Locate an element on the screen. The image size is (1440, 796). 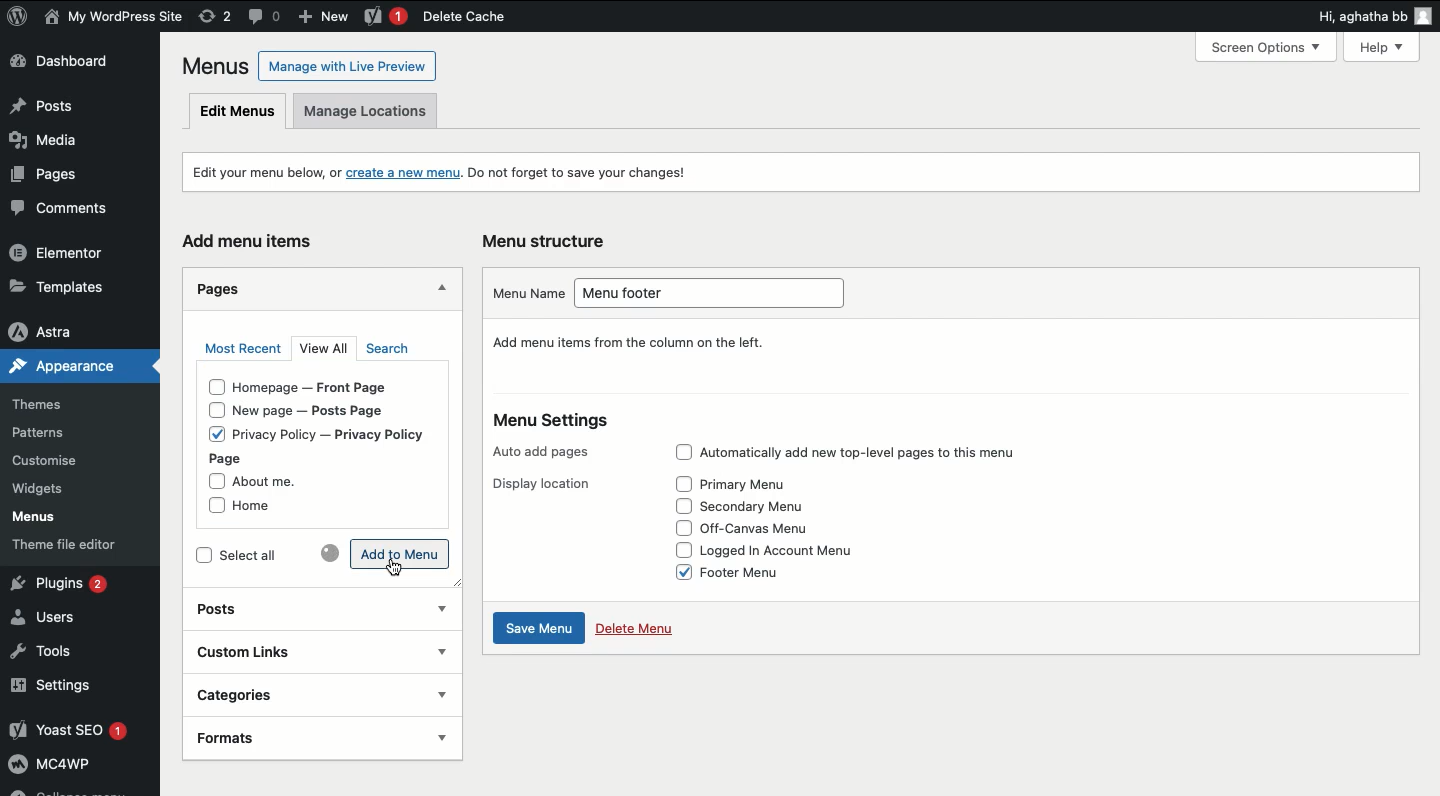
Settings is located at coordinates (75, 687).